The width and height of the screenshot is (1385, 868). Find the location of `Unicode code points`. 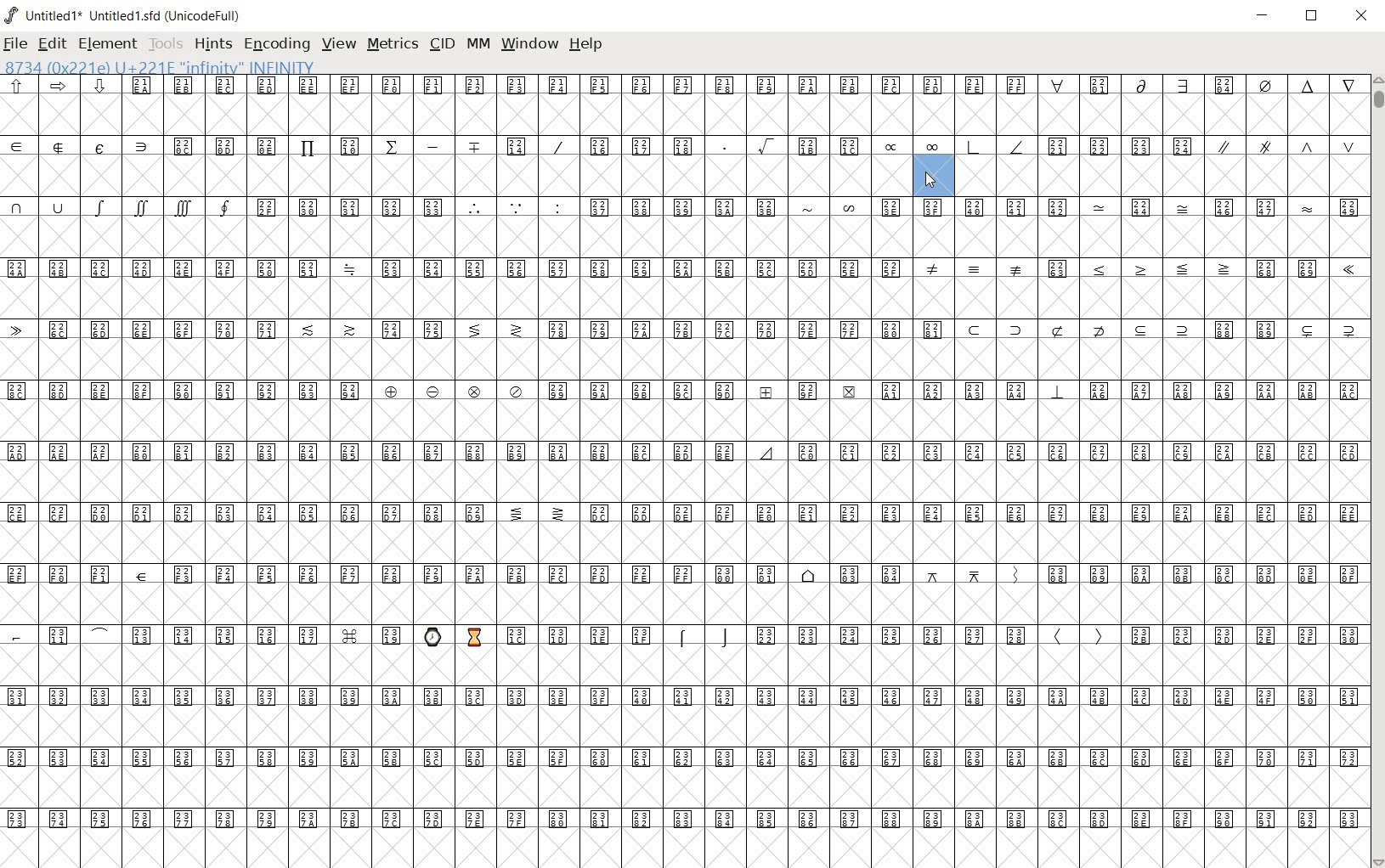

Unicode code points is located at coordinates (740, 85).